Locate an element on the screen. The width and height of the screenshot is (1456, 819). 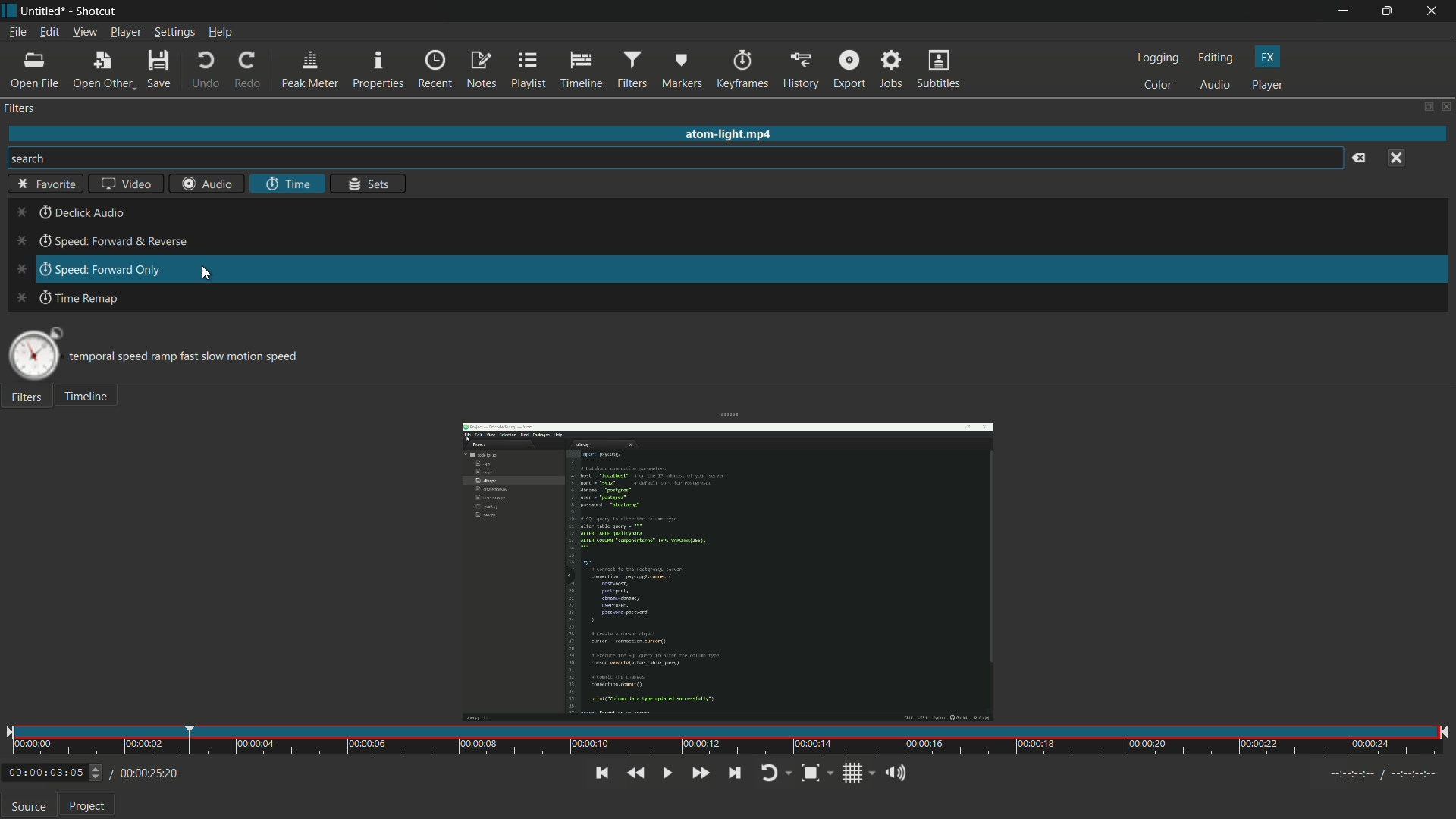
playlist is located at coordinates (530, 71).